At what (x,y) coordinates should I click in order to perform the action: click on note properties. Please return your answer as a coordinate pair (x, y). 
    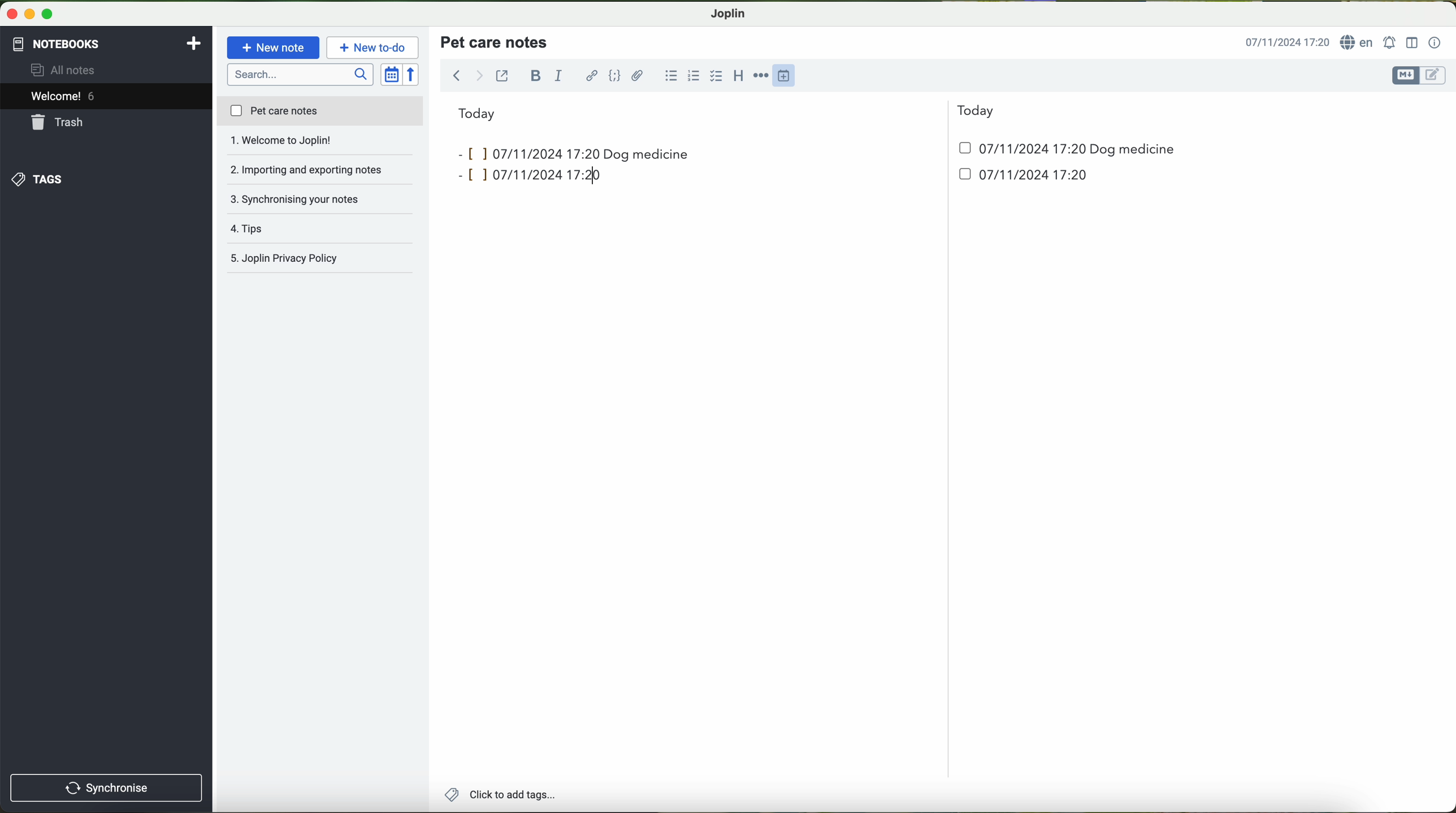
    Looking at the image, I should click on (1435, 43).